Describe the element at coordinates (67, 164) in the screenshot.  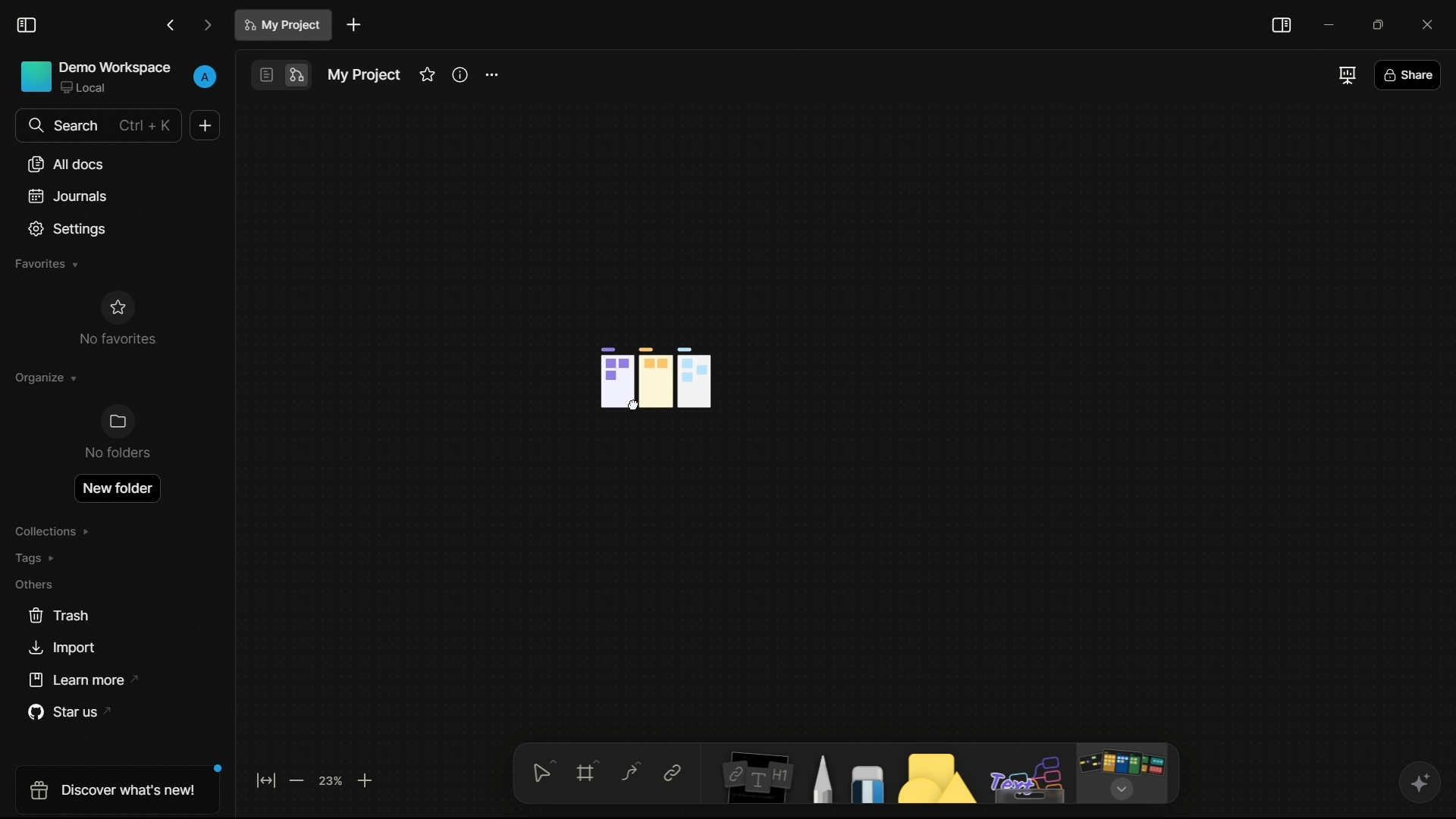
I see `all documents` at that location.